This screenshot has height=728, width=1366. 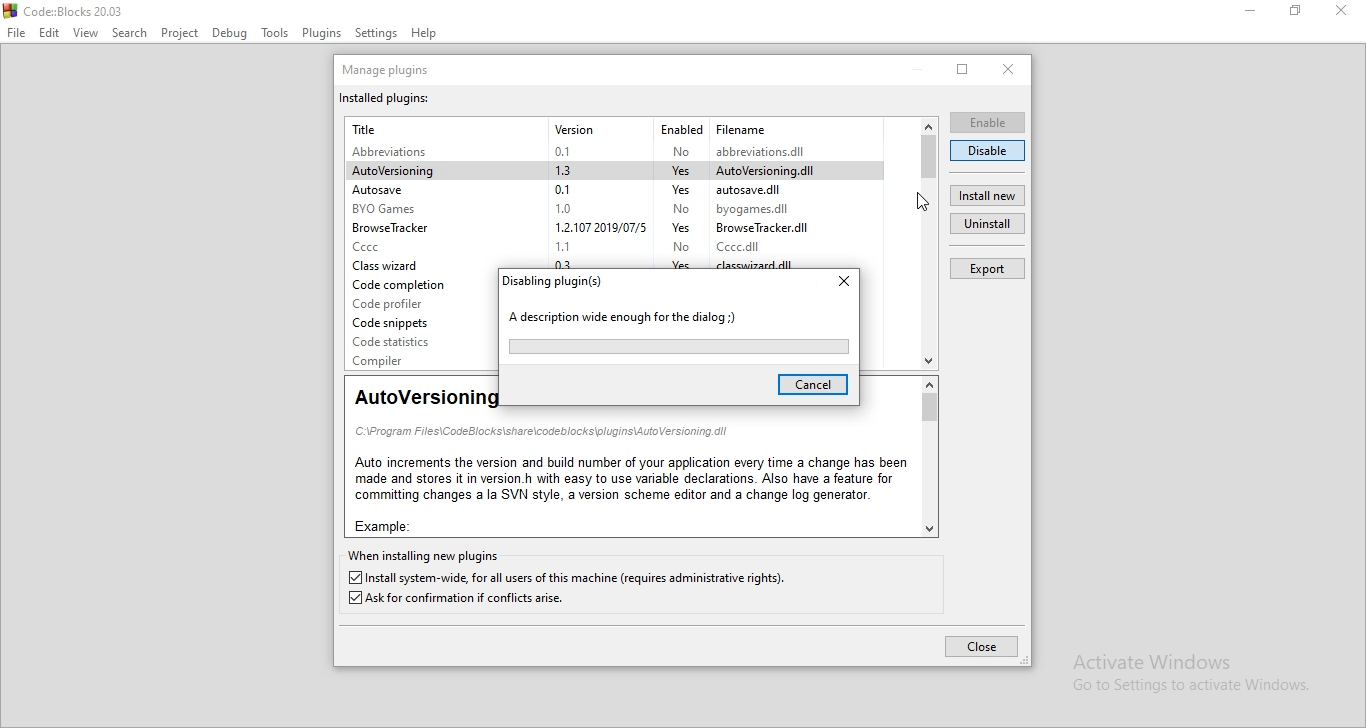 What do you see at coordinates (1182, 659) in the screenshot?
I see `Activate Windows` at bounding box center [1182, 659].